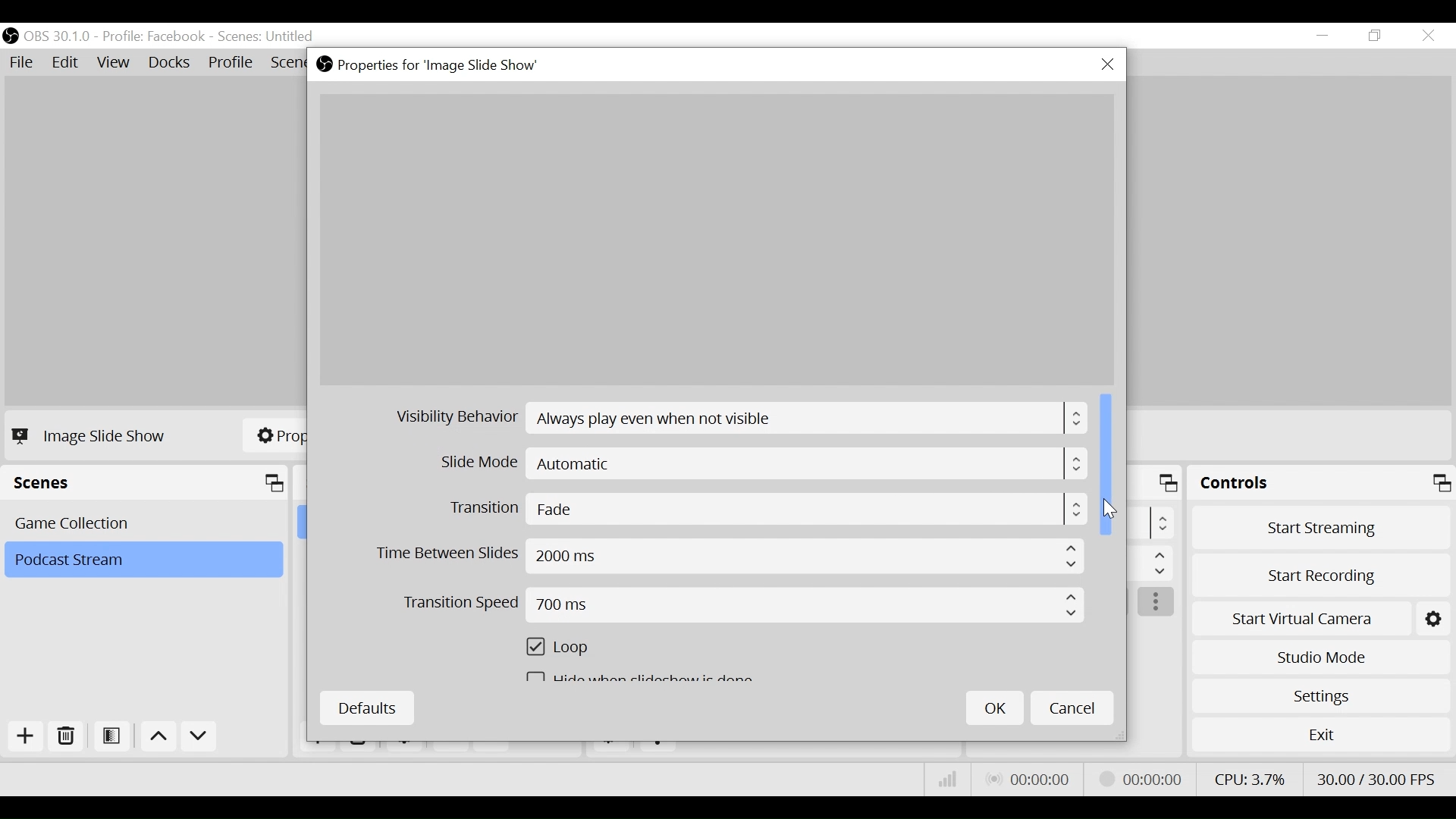 This screenshot has height=819, width=1456. I want to click on Start Virtual Camera, so click(1321, 616).